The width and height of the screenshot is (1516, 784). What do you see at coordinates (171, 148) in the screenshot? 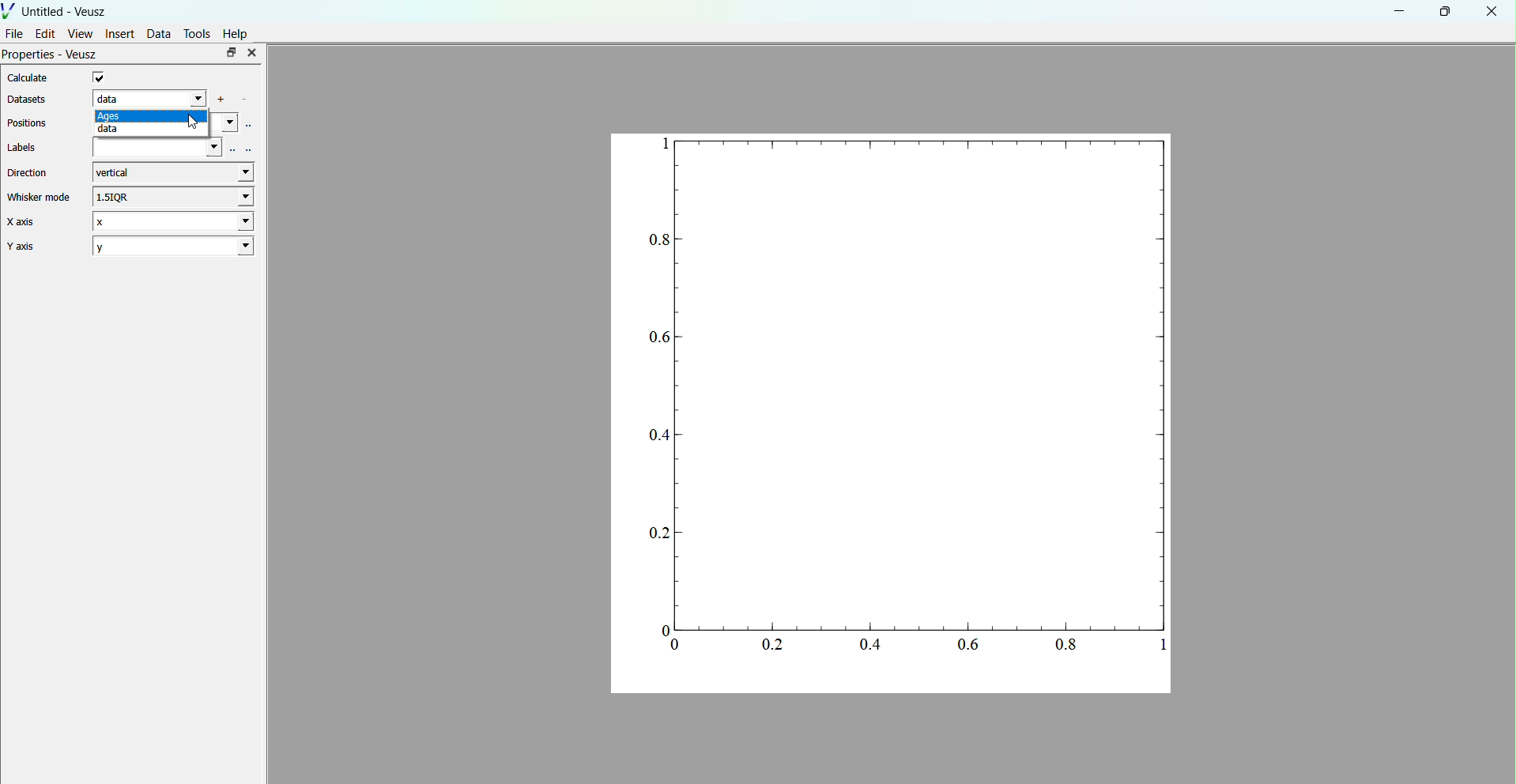
I see `labels field` at bounding box center [171, 148].